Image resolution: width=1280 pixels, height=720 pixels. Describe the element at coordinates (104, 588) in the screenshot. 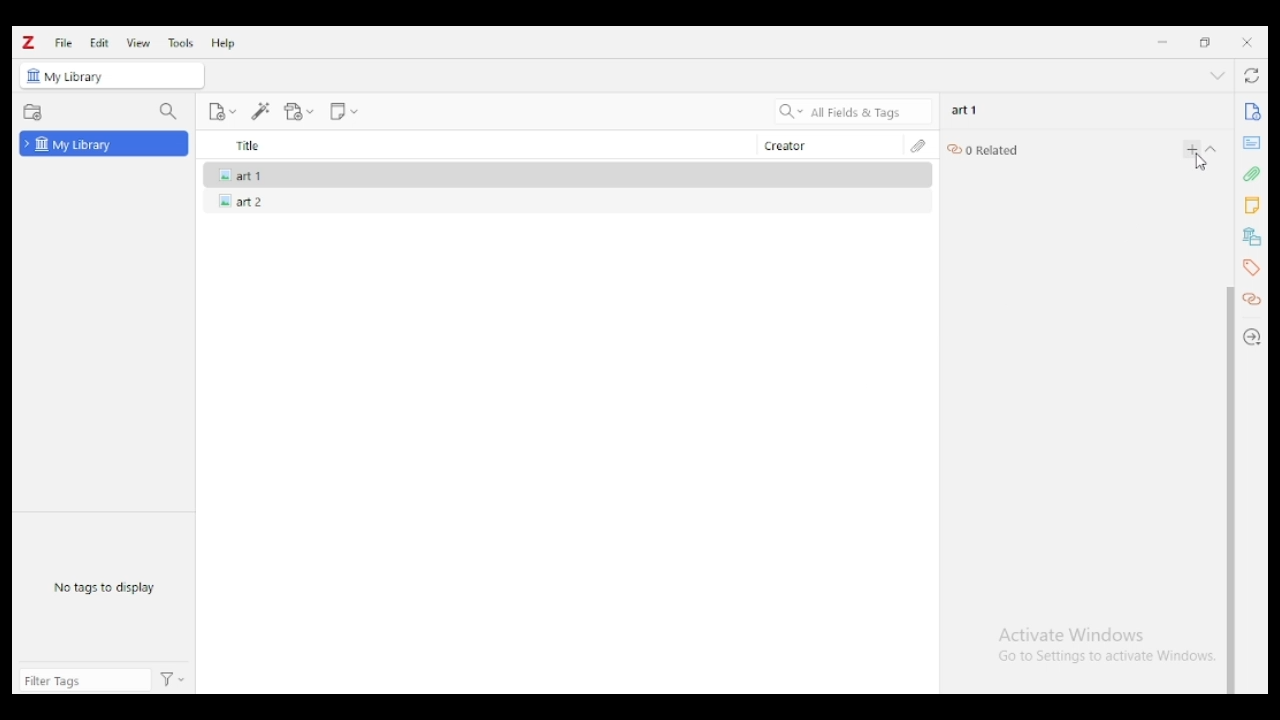

I see `no tags to display` at that location.